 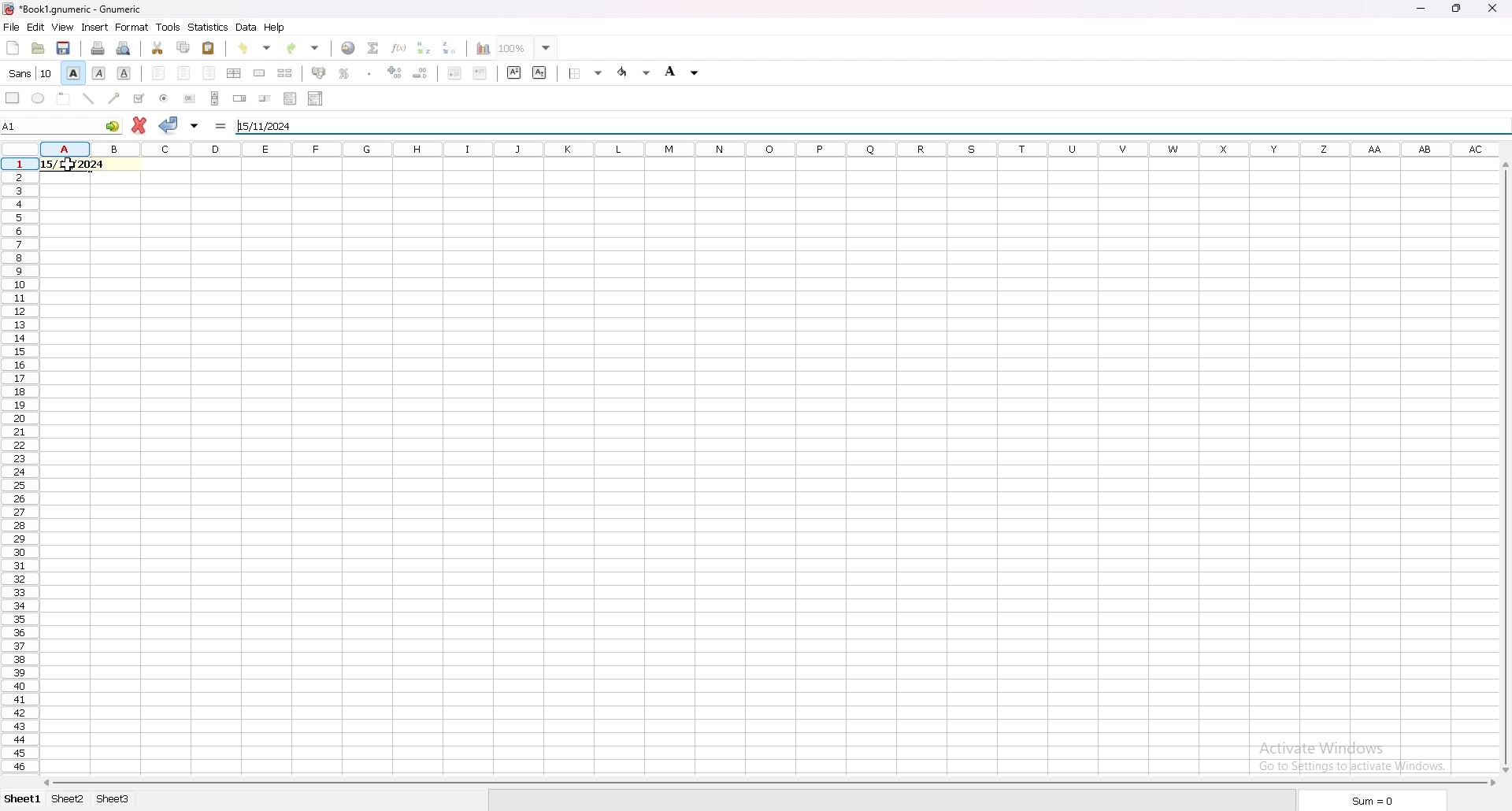 What do you see at coordinates (184, 73) in the screenshot?
I see `center` at bounding box center [184, 73].